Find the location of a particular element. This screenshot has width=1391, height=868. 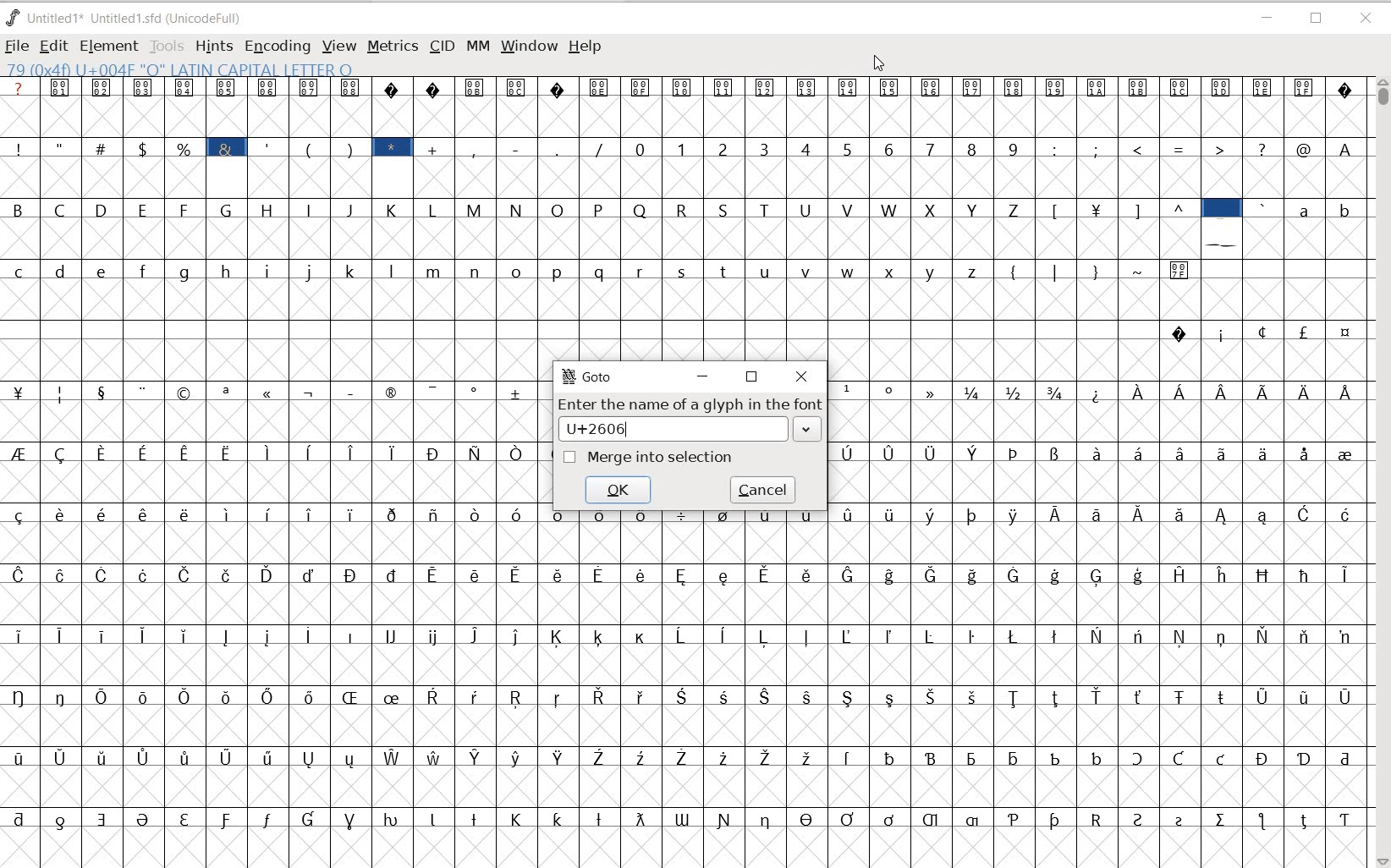

ELEMENT is located at coordinates (109, 46).